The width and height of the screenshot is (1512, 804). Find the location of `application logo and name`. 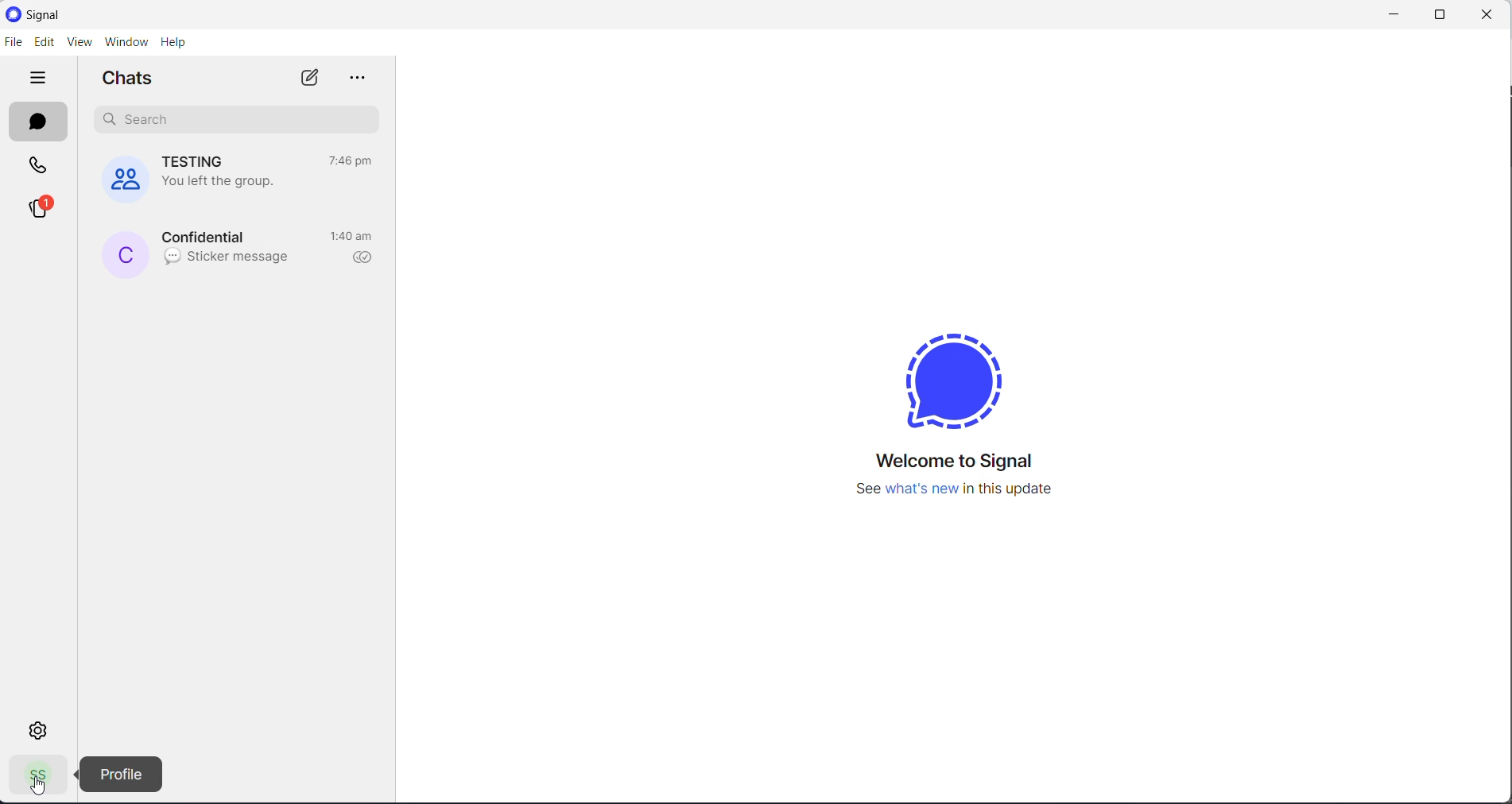

application logo and name is located at coordinates (79, 15).